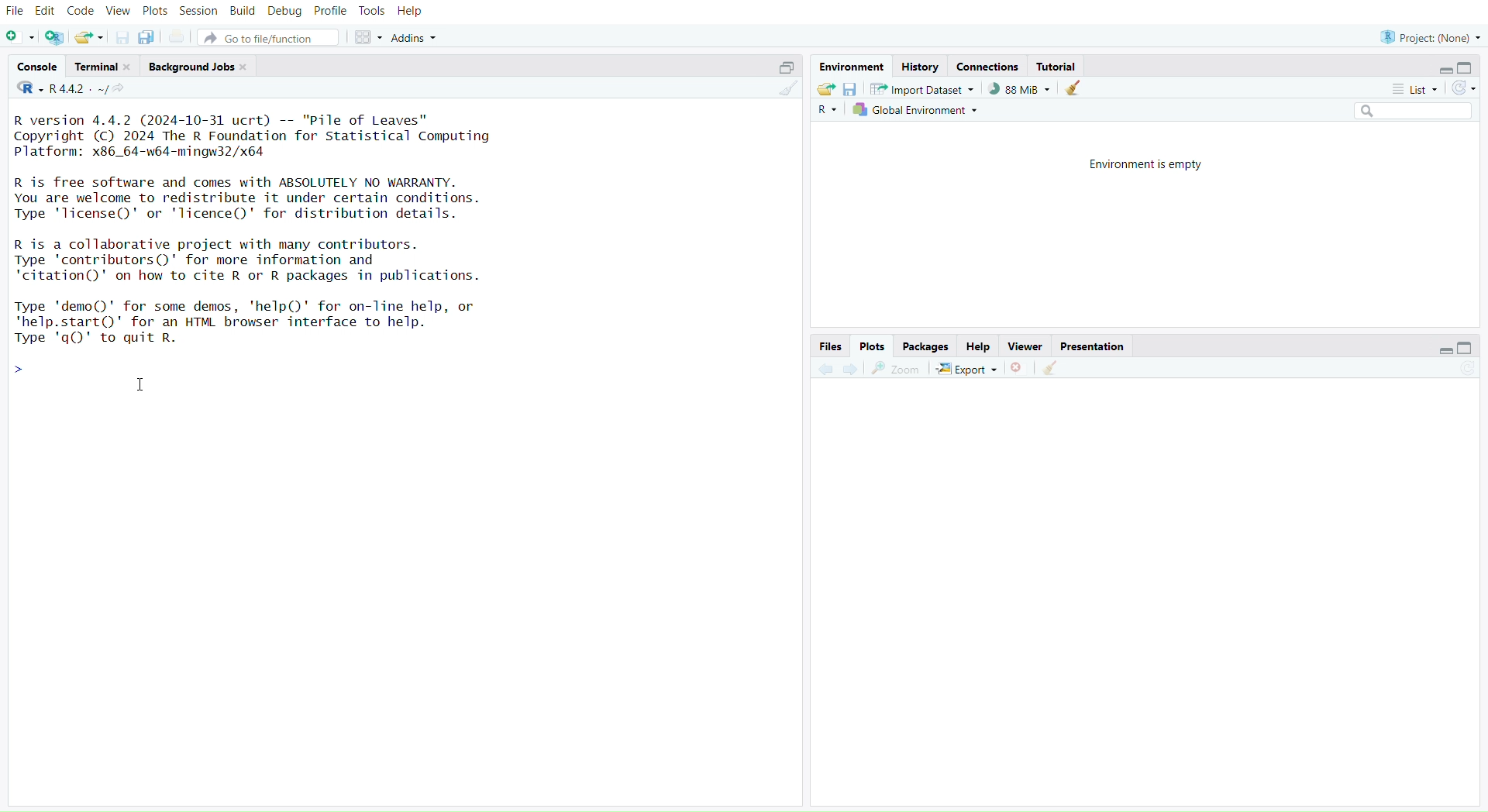 This screenshot has width=1488, height=812. I want to click on save all open document, so click(146, 38).